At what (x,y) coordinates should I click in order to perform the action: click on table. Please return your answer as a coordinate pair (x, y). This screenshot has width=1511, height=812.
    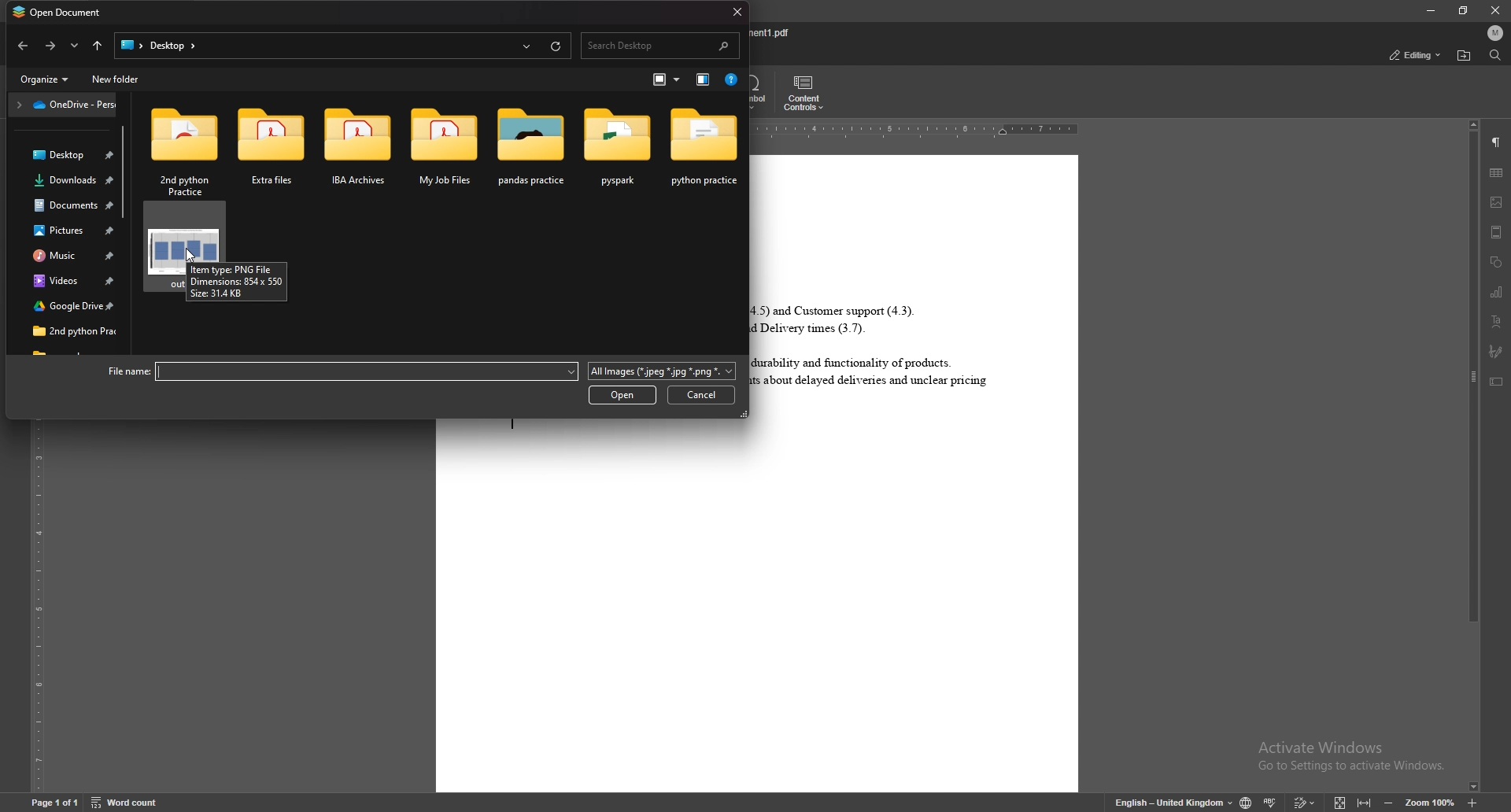
    Looking at the image, I should click on (1497, 173).